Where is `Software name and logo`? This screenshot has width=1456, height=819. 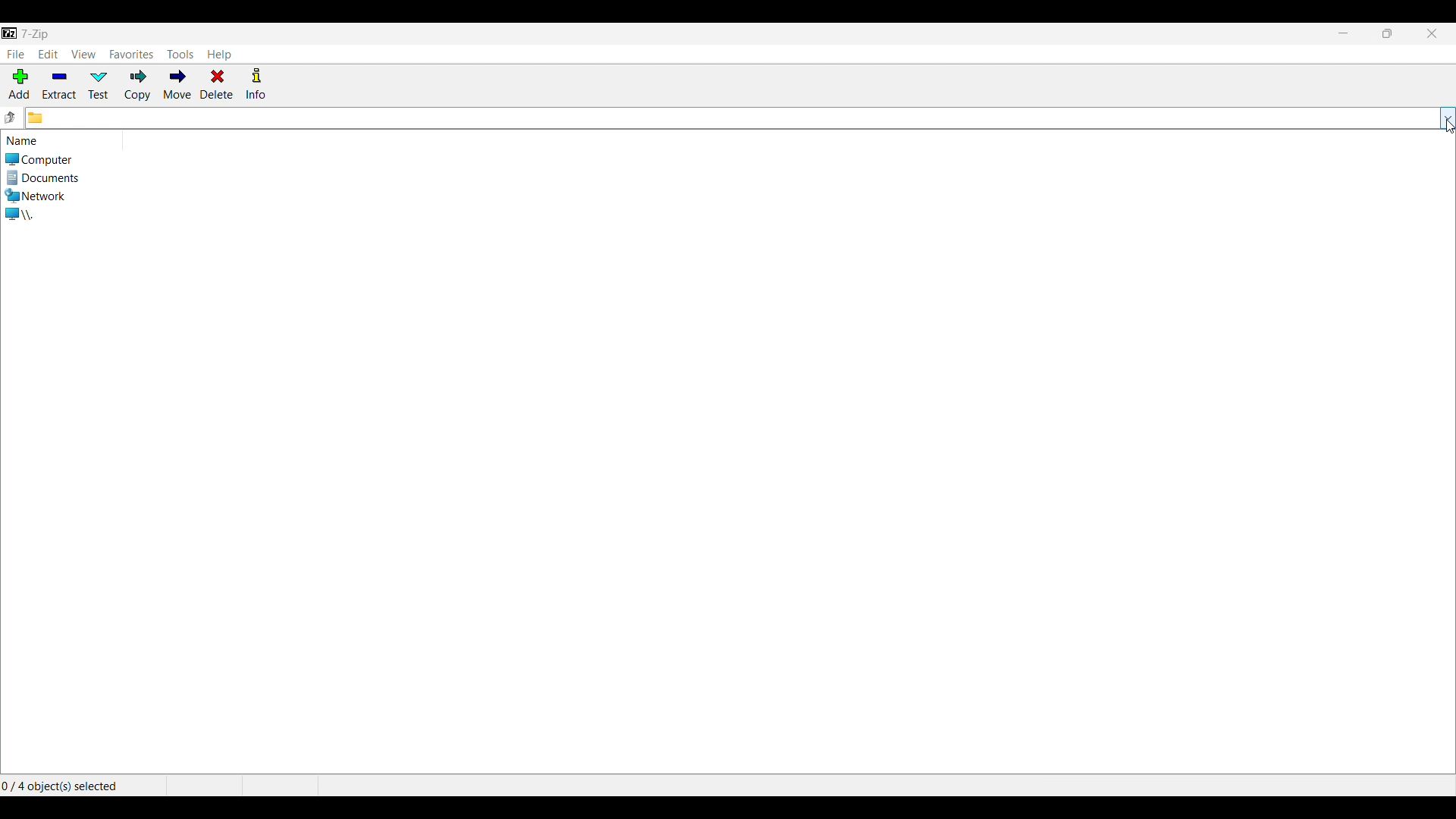
Software name and logo is located at coordinates (9, 34).